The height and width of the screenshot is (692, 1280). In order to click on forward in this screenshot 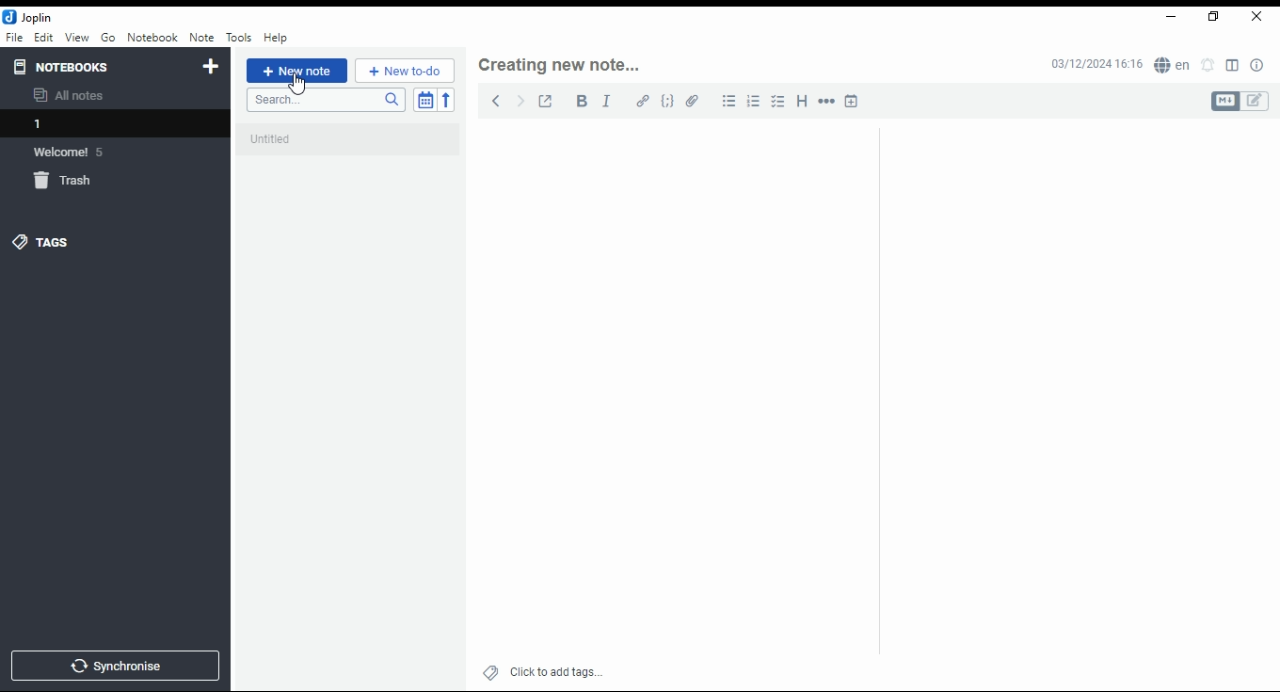, I will do `click(520, 99)`.